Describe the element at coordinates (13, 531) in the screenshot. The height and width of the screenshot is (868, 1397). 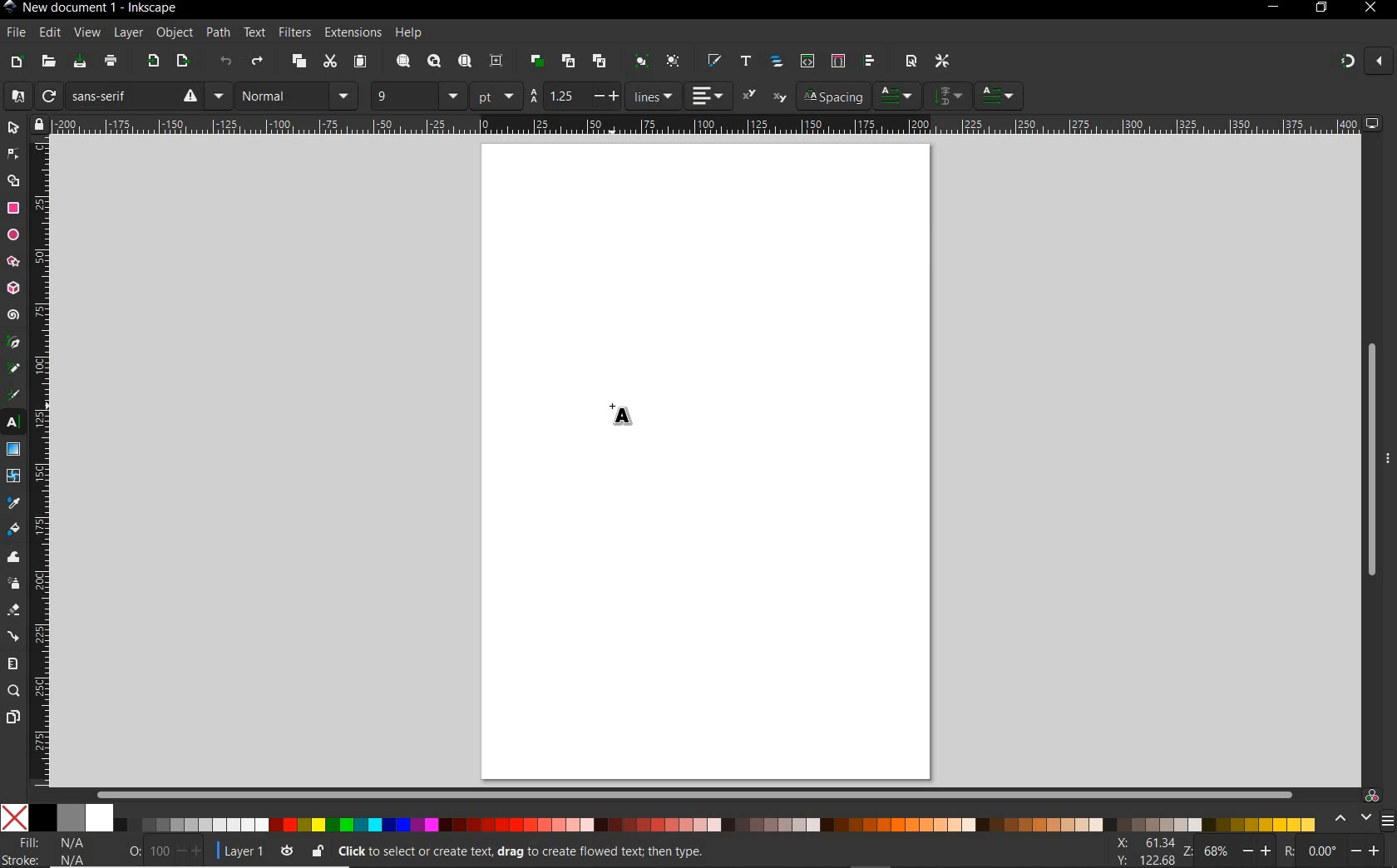
I see `paint bucket tool` at that location.